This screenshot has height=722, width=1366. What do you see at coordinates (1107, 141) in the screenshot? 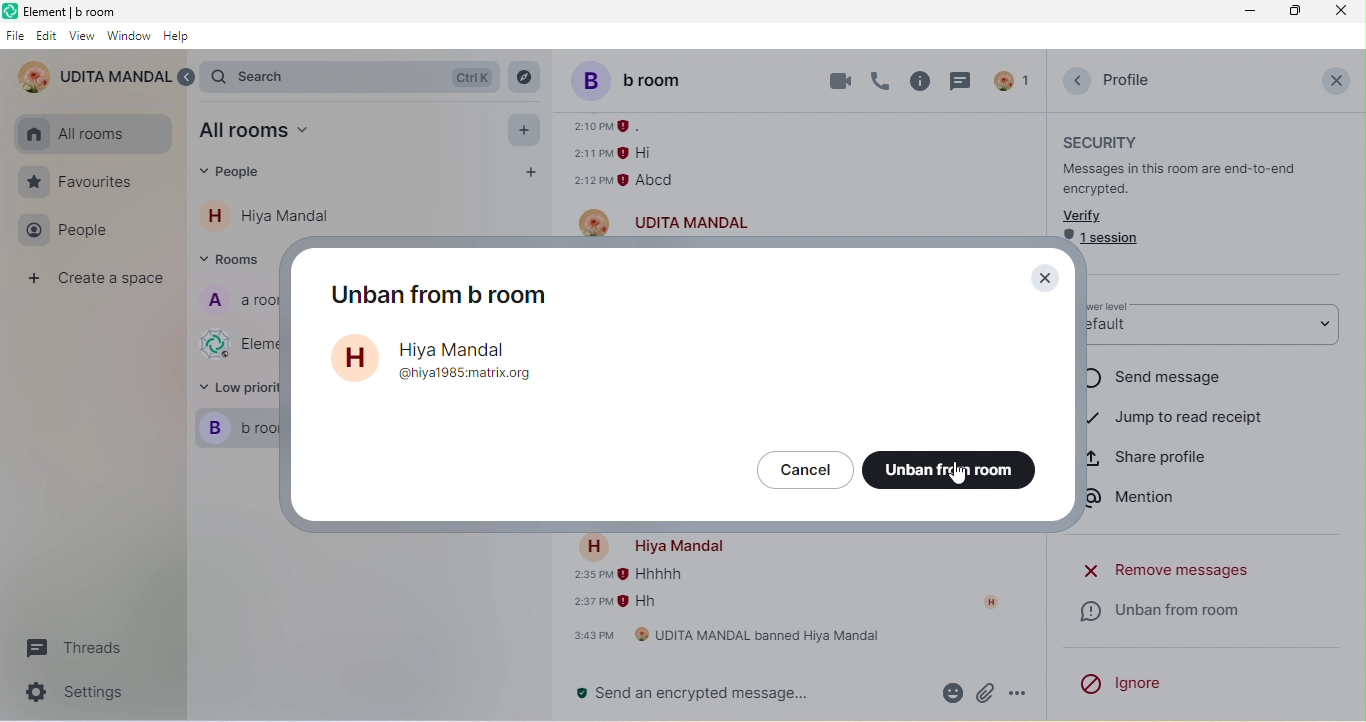
I see `security` at bounding box center [1107, 141].